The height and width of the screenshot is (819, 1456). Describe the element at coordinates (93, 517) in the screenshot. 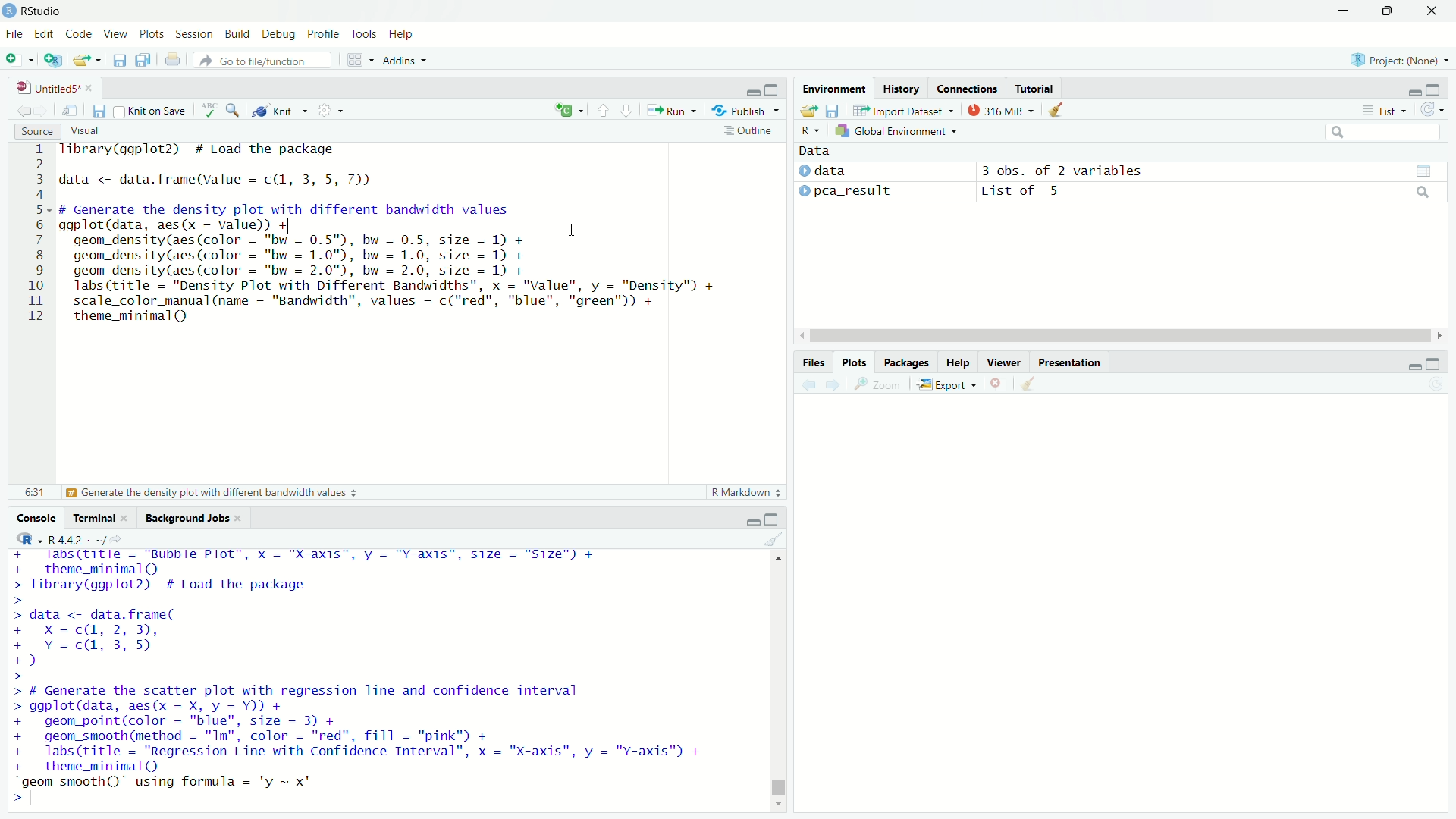

I see `Terminal` at that location.